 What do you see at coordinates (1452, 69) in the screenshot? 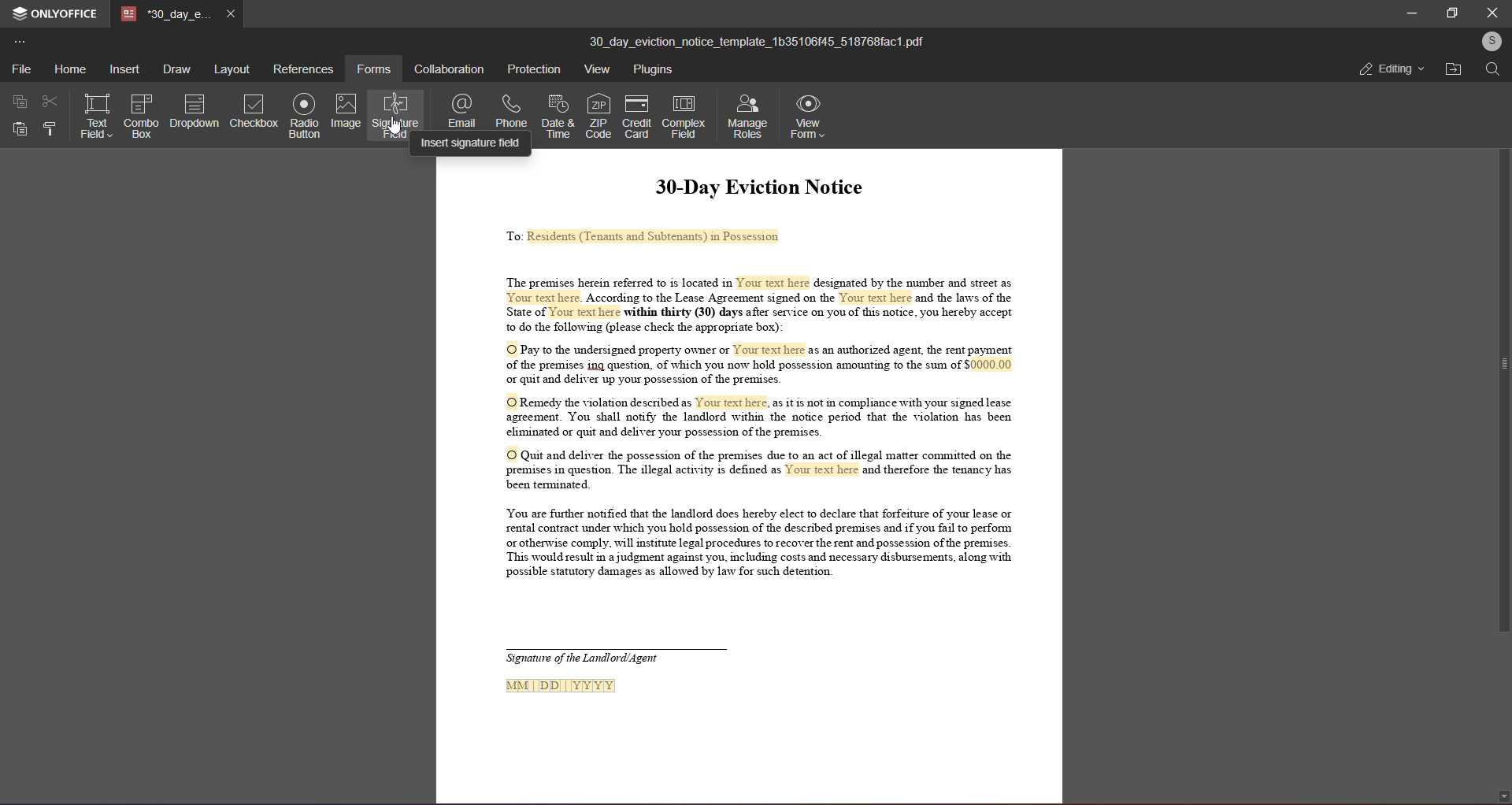
I see `open file location` at bounding box center [1452, 69].